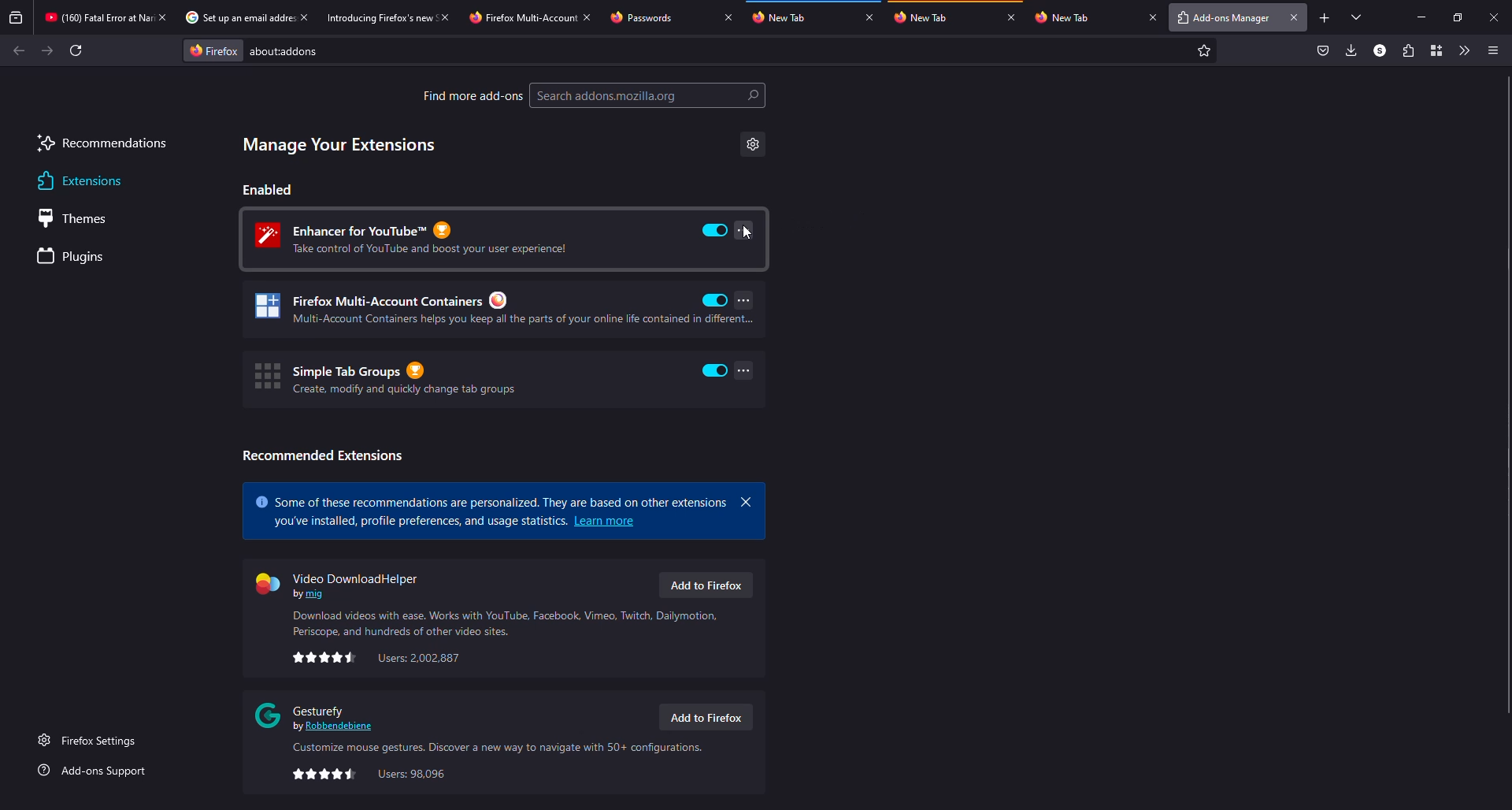 Image resolution: width=1512 pixels, height=810 pixels. Describe the element at coordinates (1324, 50) in the screenshot. I see `save to packet` at that location.